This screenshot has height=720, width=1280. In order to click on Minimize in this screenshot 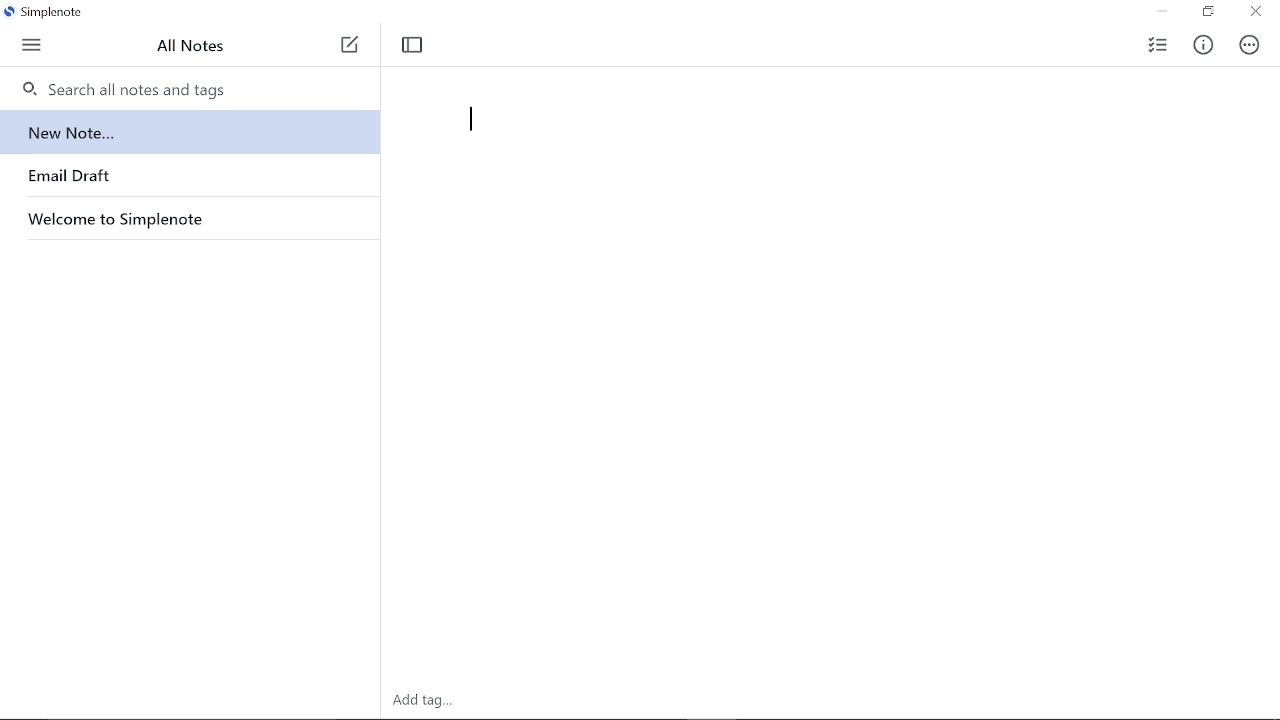, I will do `click(1163, 12)`.